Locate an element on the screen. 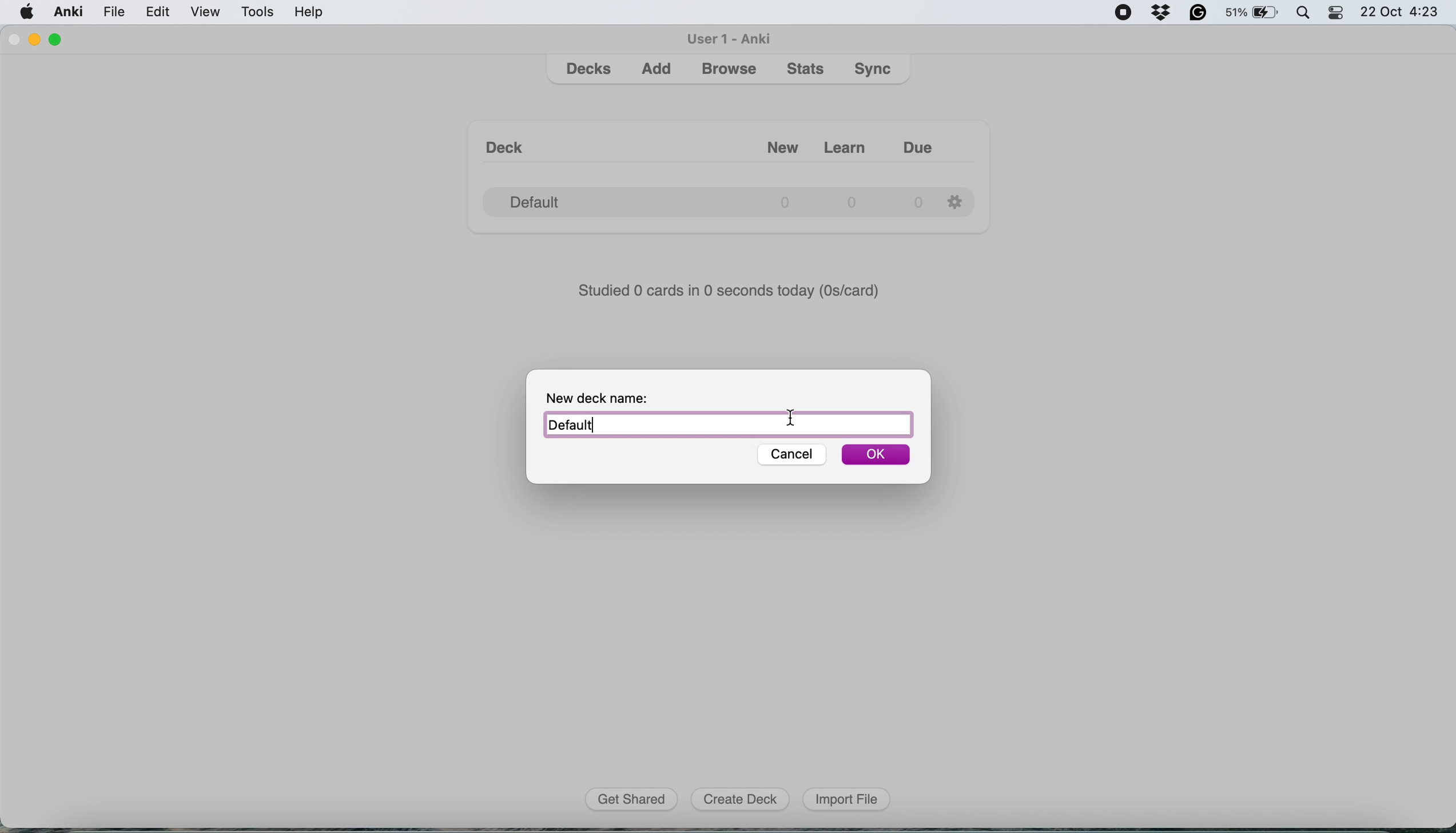 The height and width of the screenshot is (833, 1456). tools is located at coordinates (259, 14).